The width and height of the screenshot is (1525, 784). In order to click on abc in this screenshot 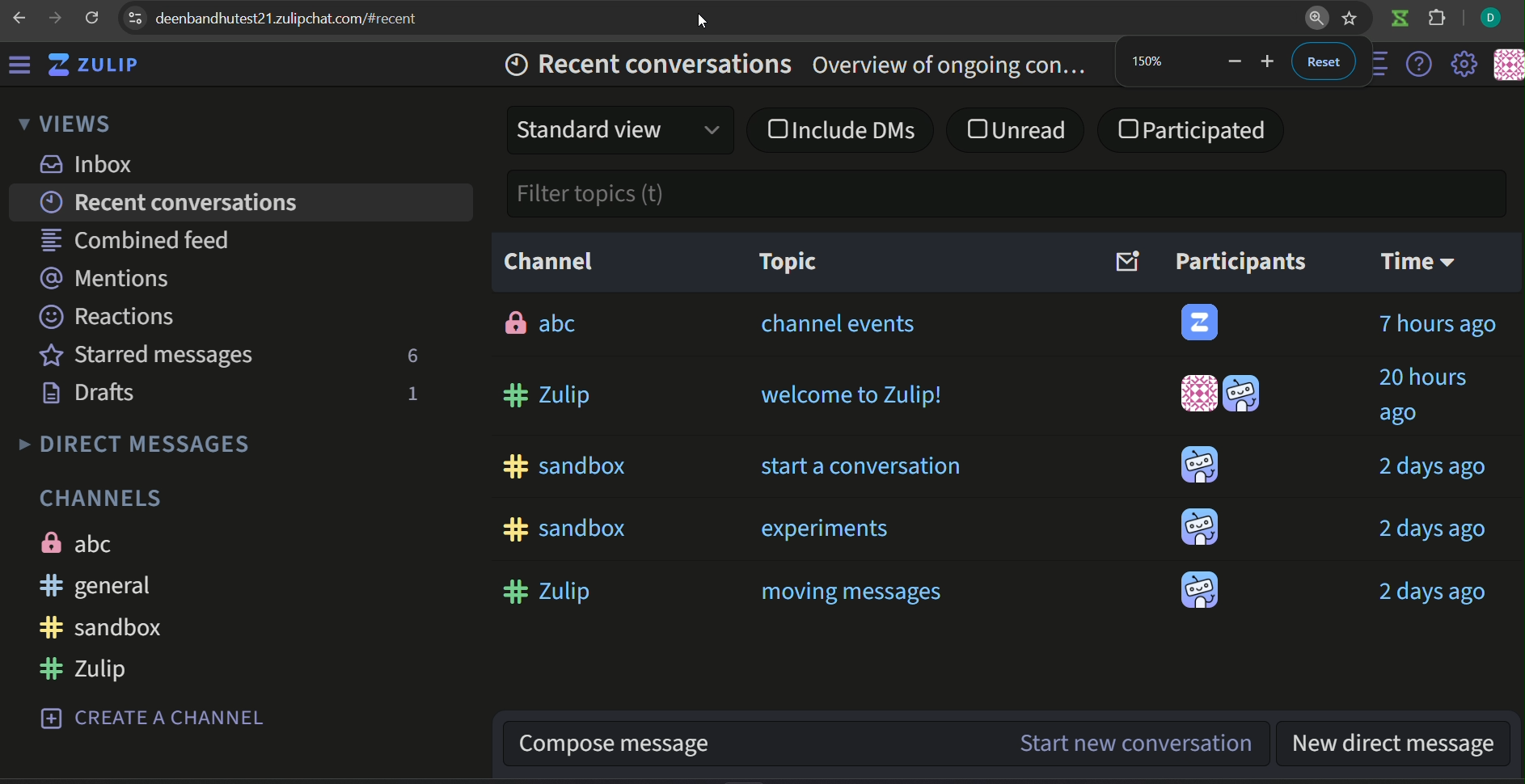, I will do `click(540, 325)`.